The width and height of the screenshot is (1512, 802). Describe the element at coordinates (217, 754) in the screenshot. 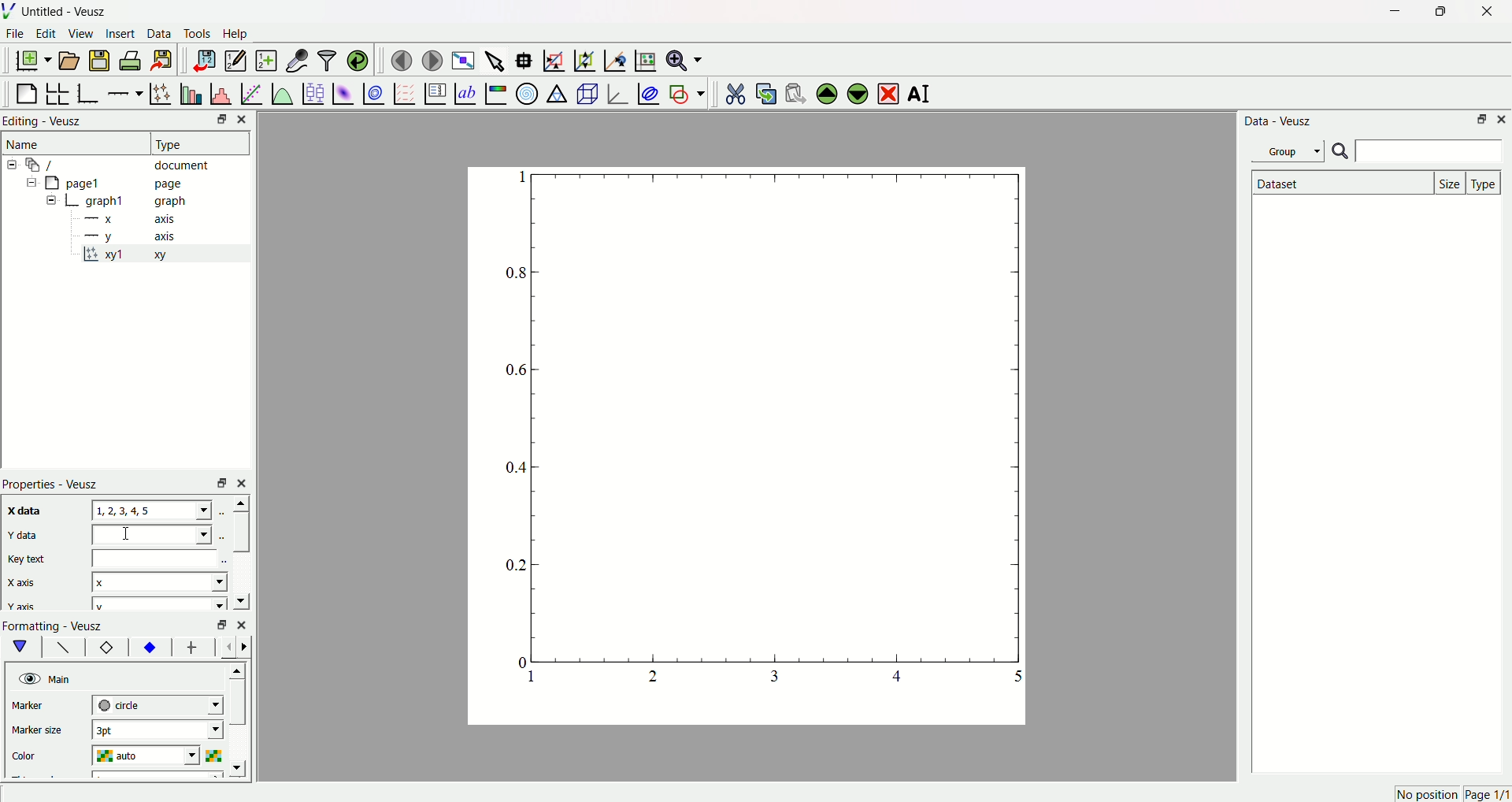

I see `select color` at that location.